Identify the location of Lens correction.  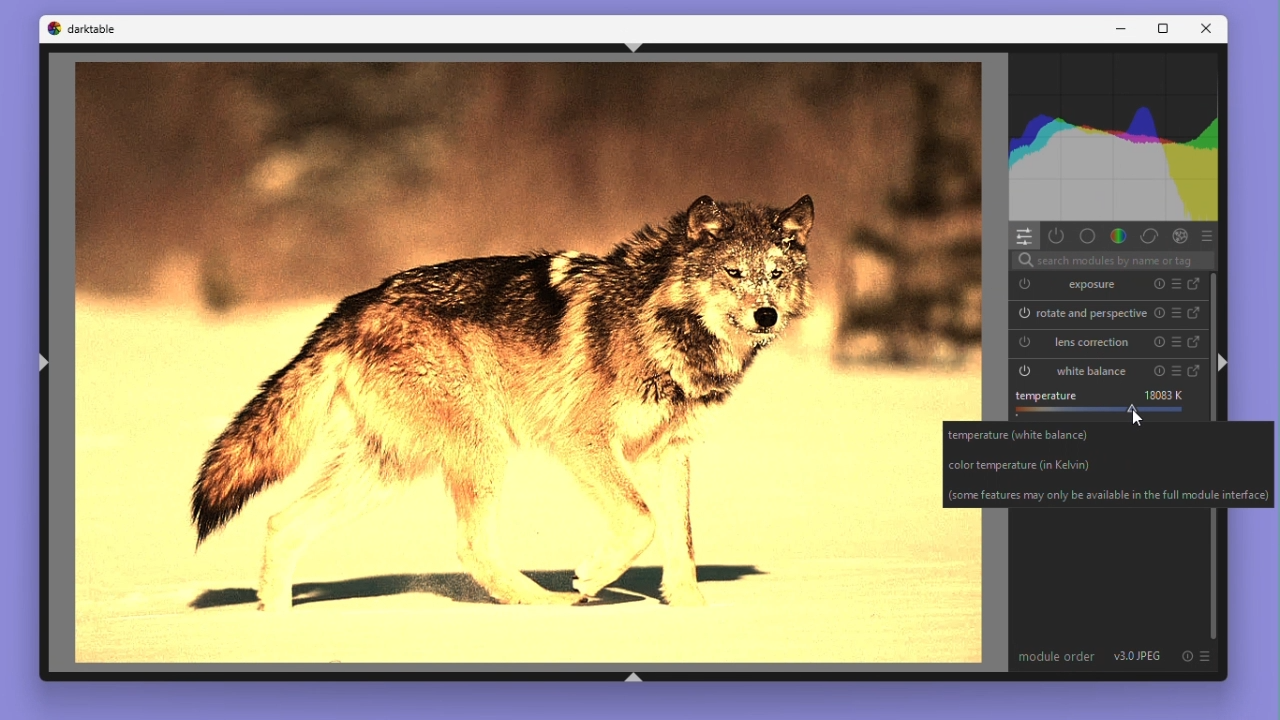
(1076, 342).